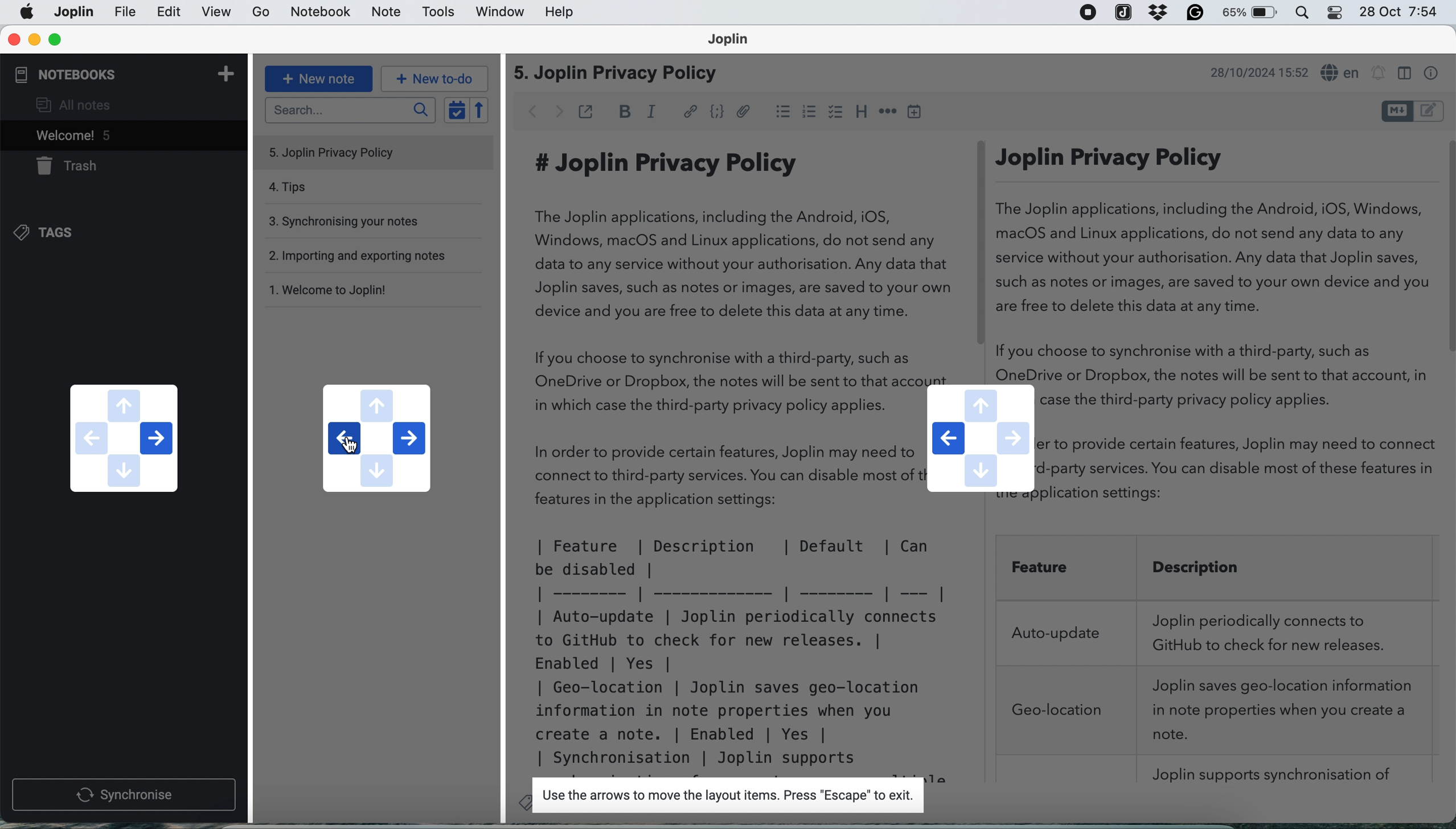 The height and width of the screenshot is (829, 1456). I want to click on note, so click(384, 13).